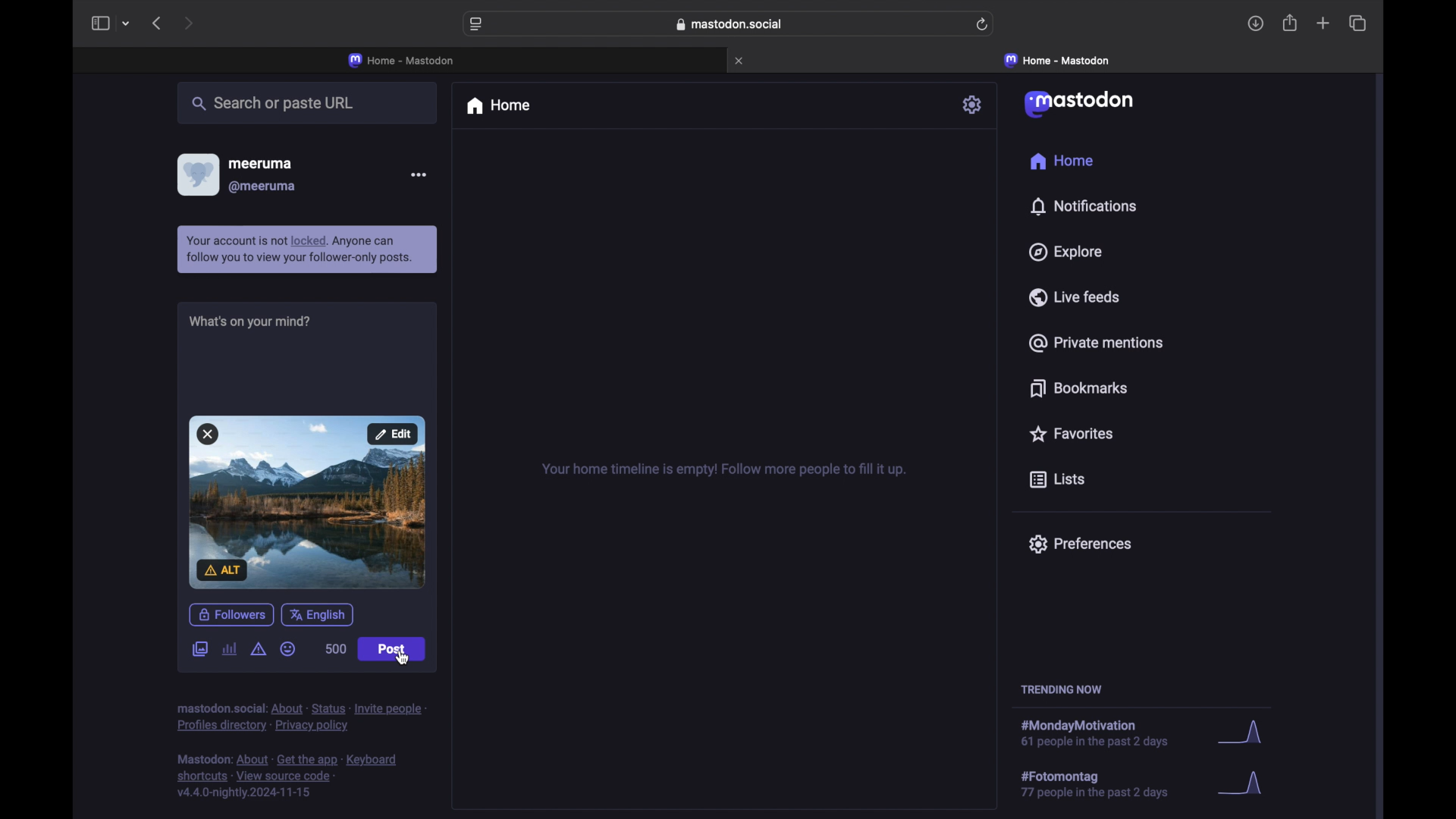 The height and width of the screenshot is (819, 1456). Describe the element at coordinates (1256, 25) in the screenshot. I see `downloads` at that location.